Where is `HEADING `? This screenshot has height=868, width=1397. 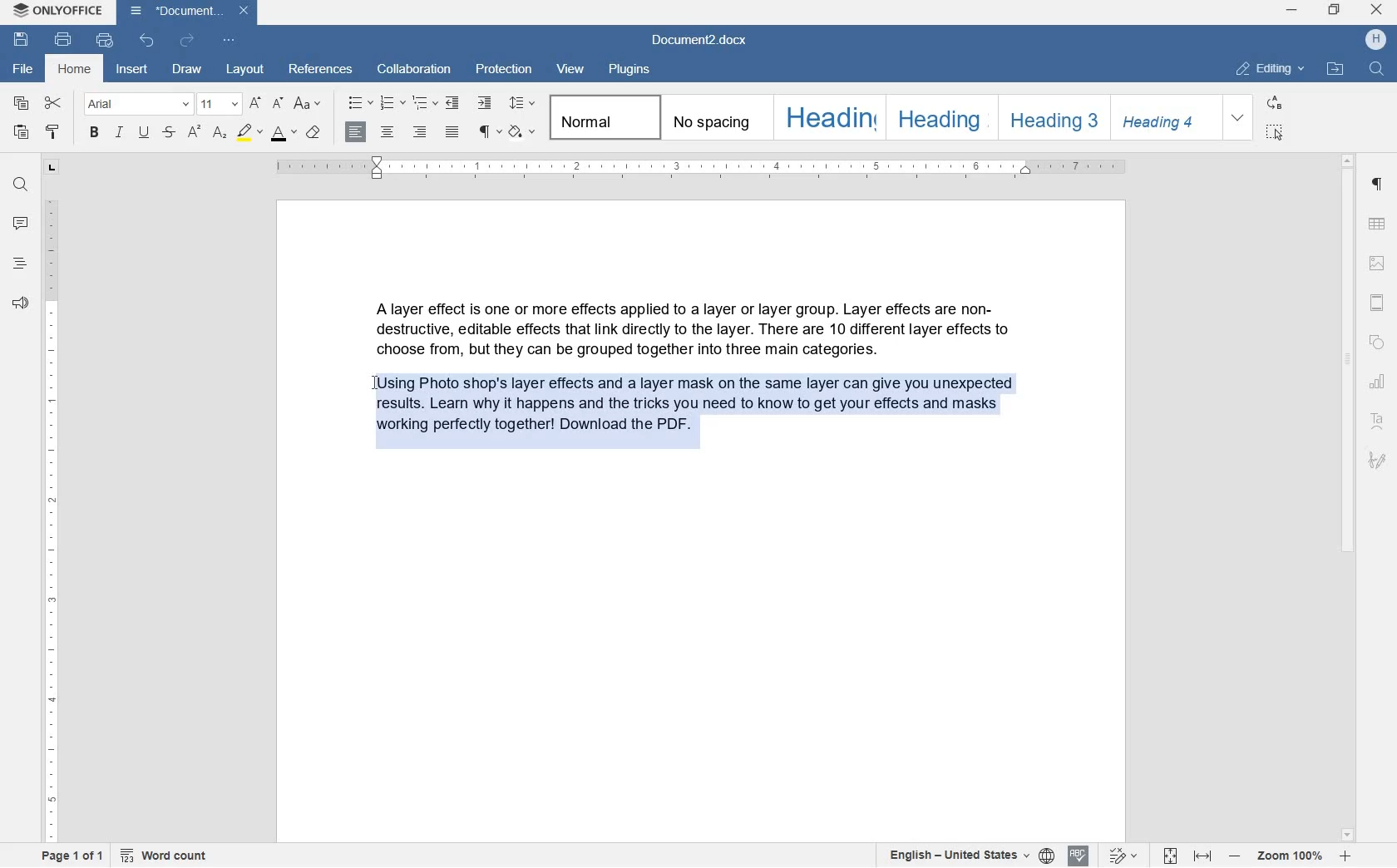
HEADING  is located at coordinates (938, 118).